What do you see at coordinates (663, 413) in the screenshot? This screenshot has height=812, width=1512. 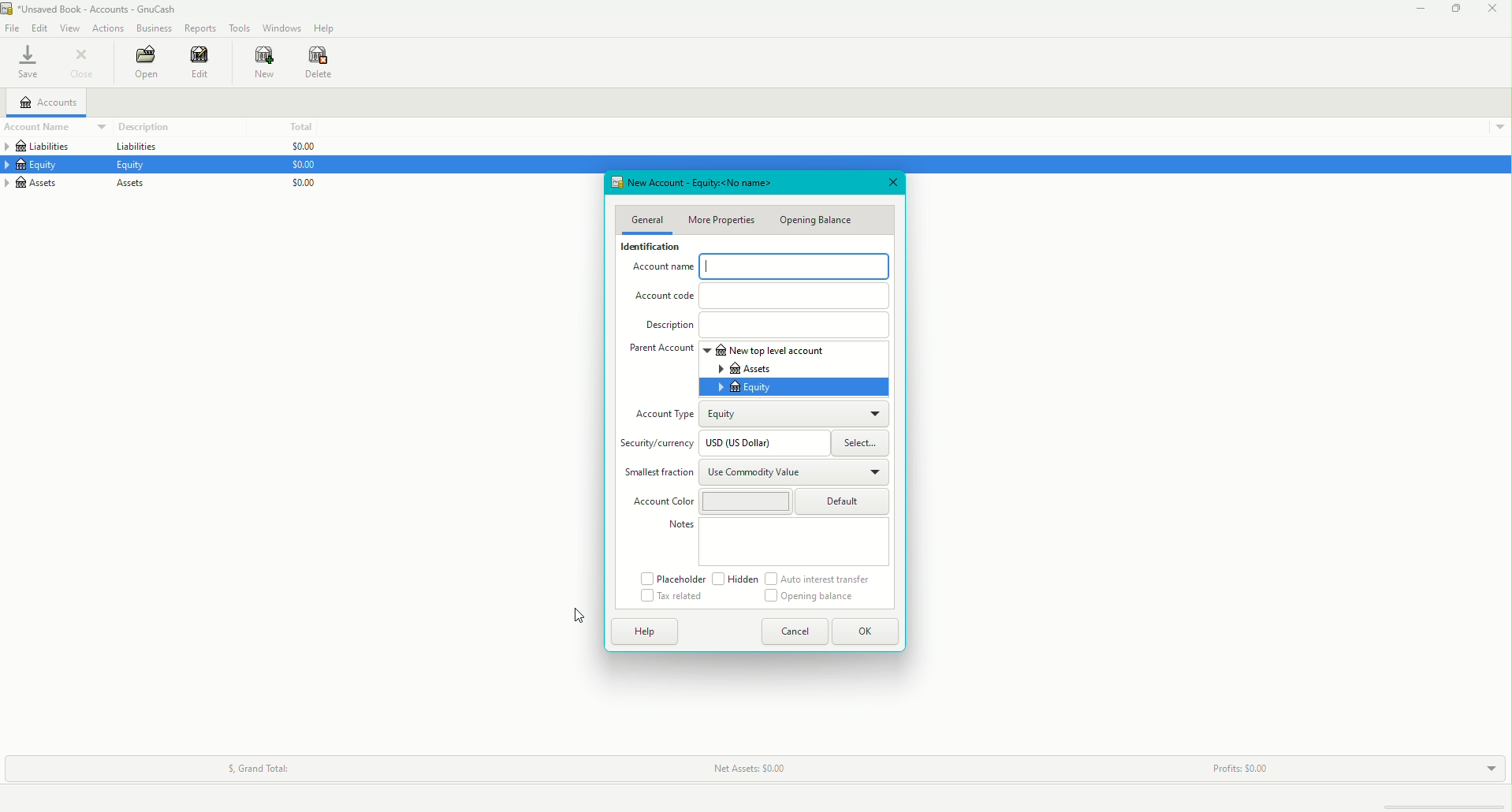 I see `Account Type` at bounding box center [663, 413].